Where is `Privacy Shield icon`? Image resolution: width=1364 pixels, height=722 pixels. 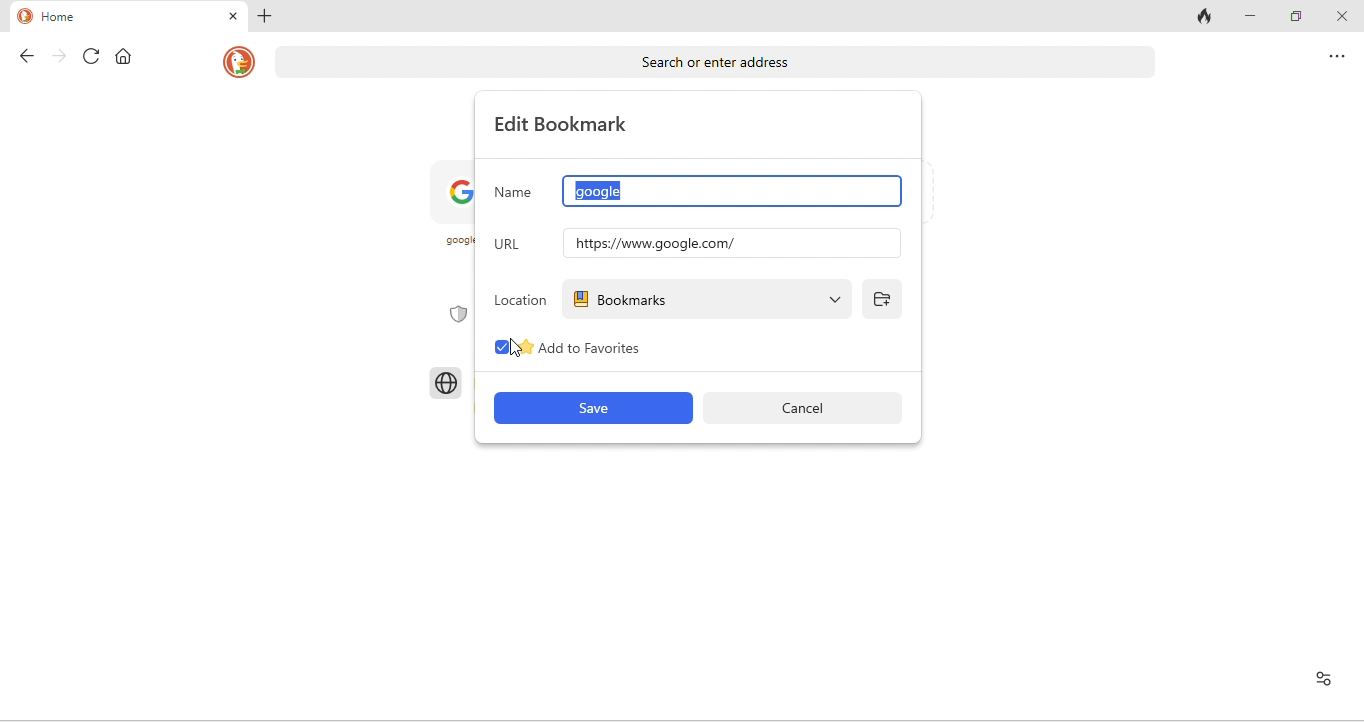 Privacy Shield icon is located at coordinates (456, 318).